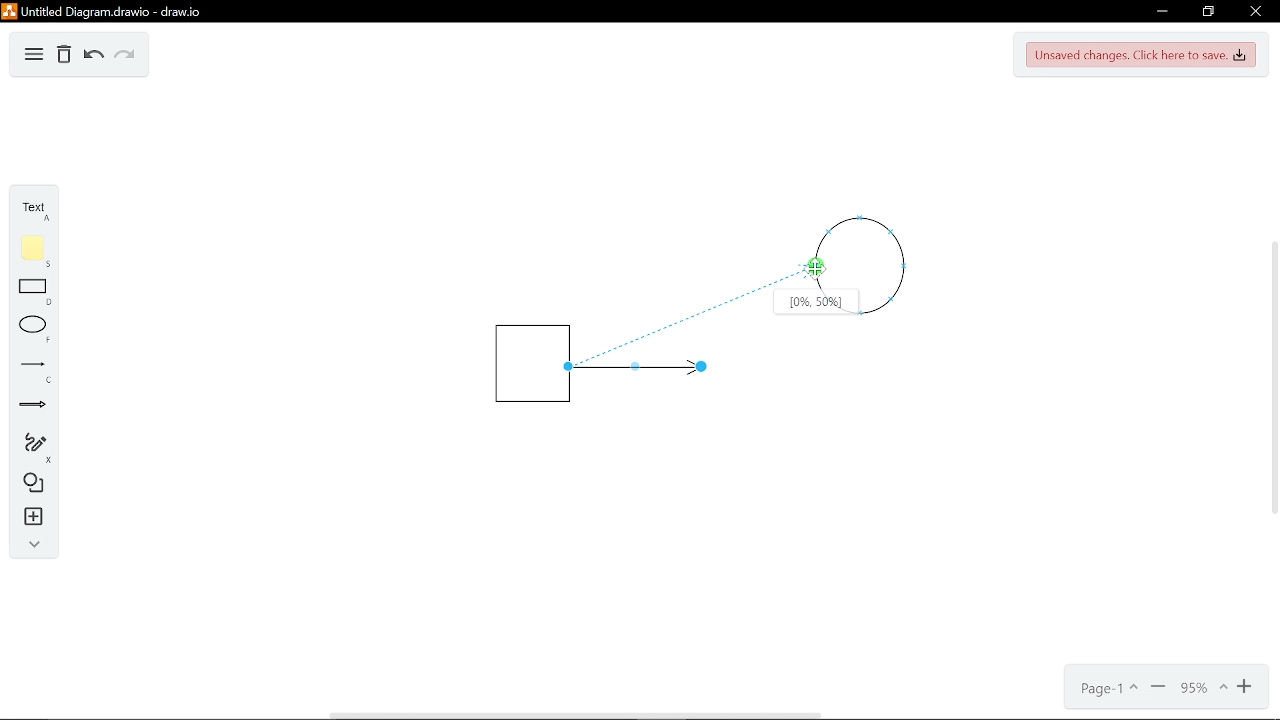 The width and height of the screenshot is (1280, 720). What do you see at coordinates (1108, 685) in the screenshot?
I see `Page options` at bounding box center [1108, 685].